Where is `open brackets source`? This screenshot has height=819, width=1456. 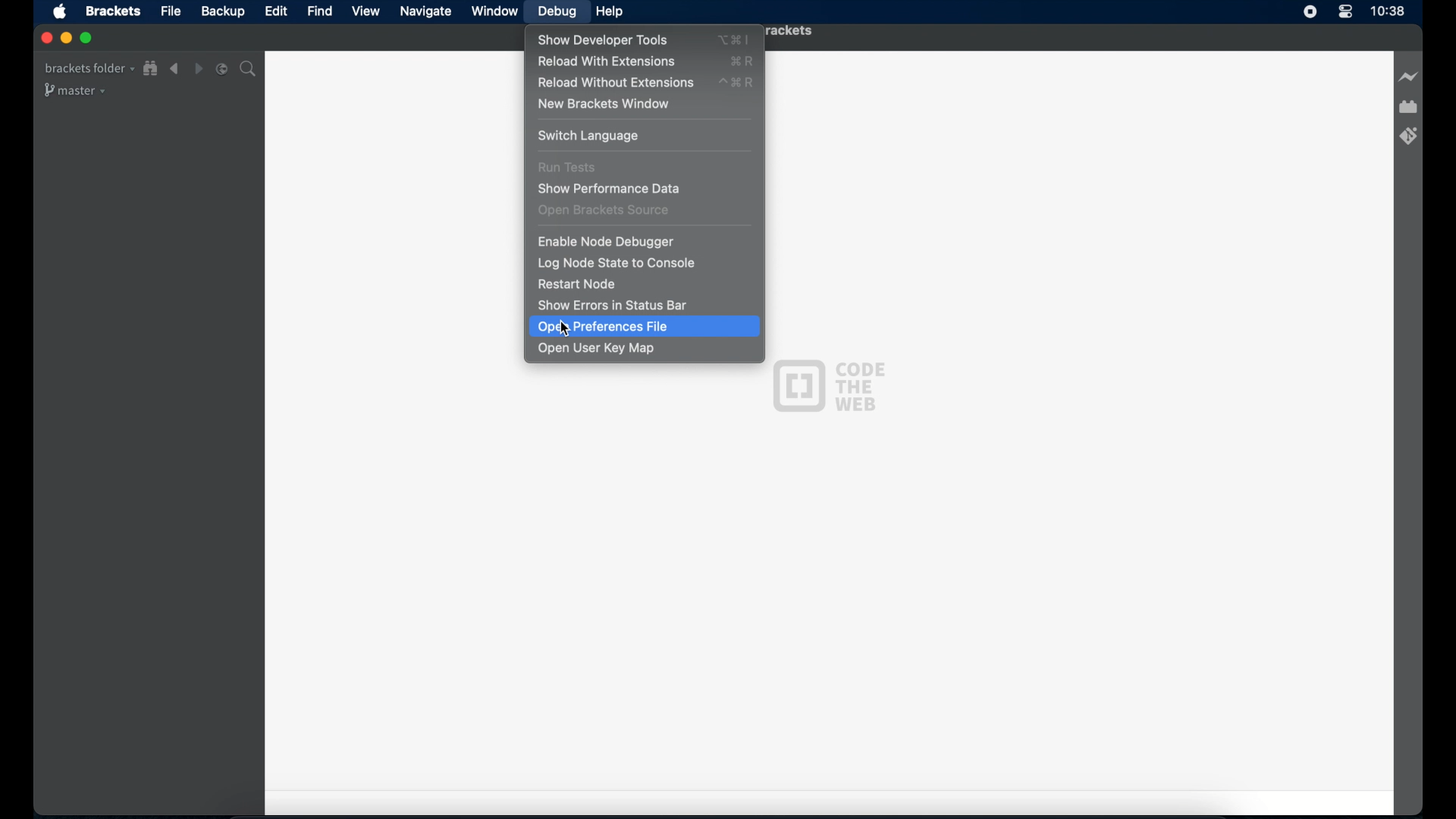
open brackets source is located at coordinates (604, 211).